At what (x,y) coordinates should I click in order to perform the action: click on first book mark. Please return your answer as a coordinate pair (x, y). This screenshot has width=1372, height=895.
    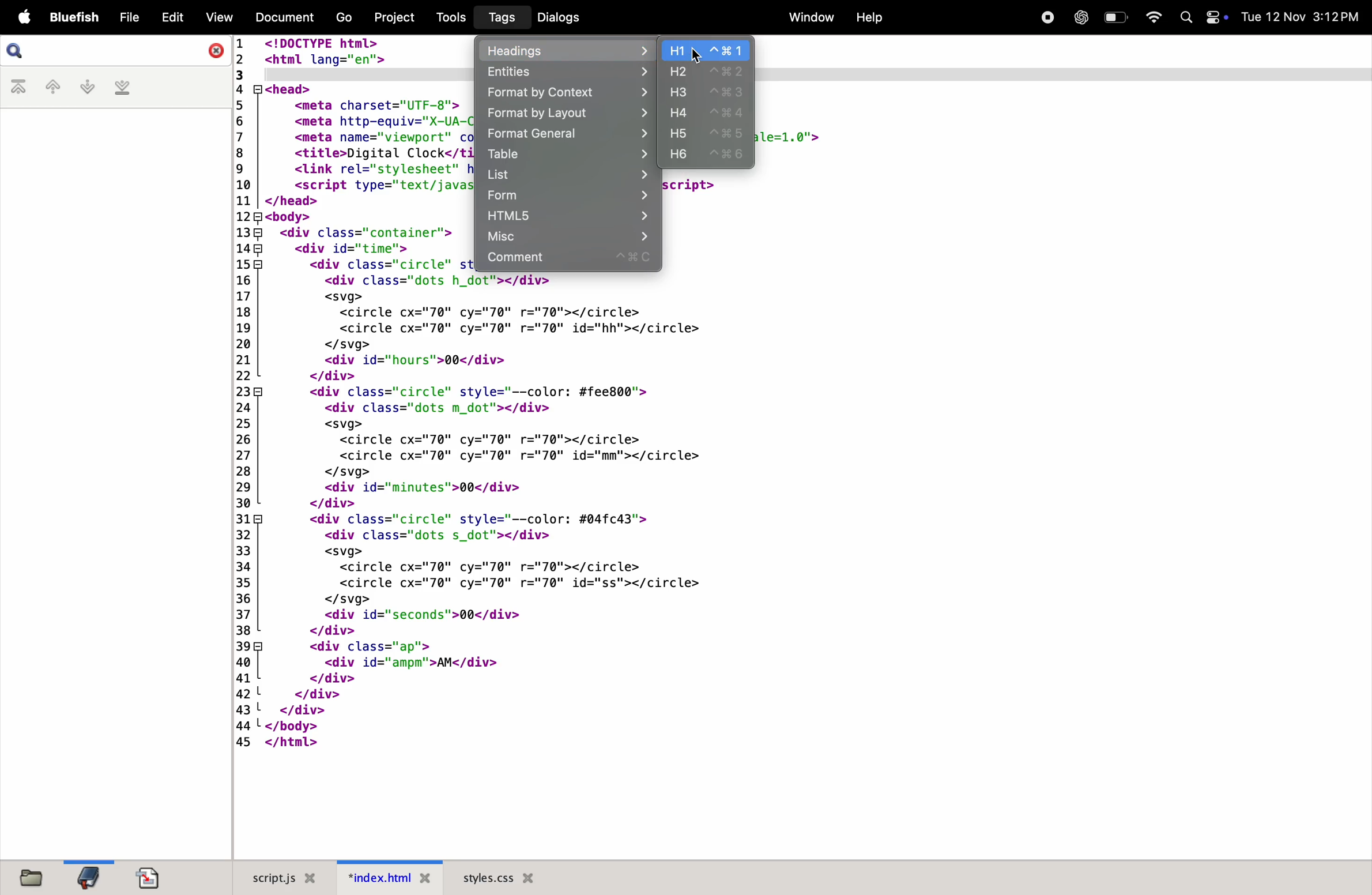
    Looking at the image, I should click on (21, 88).